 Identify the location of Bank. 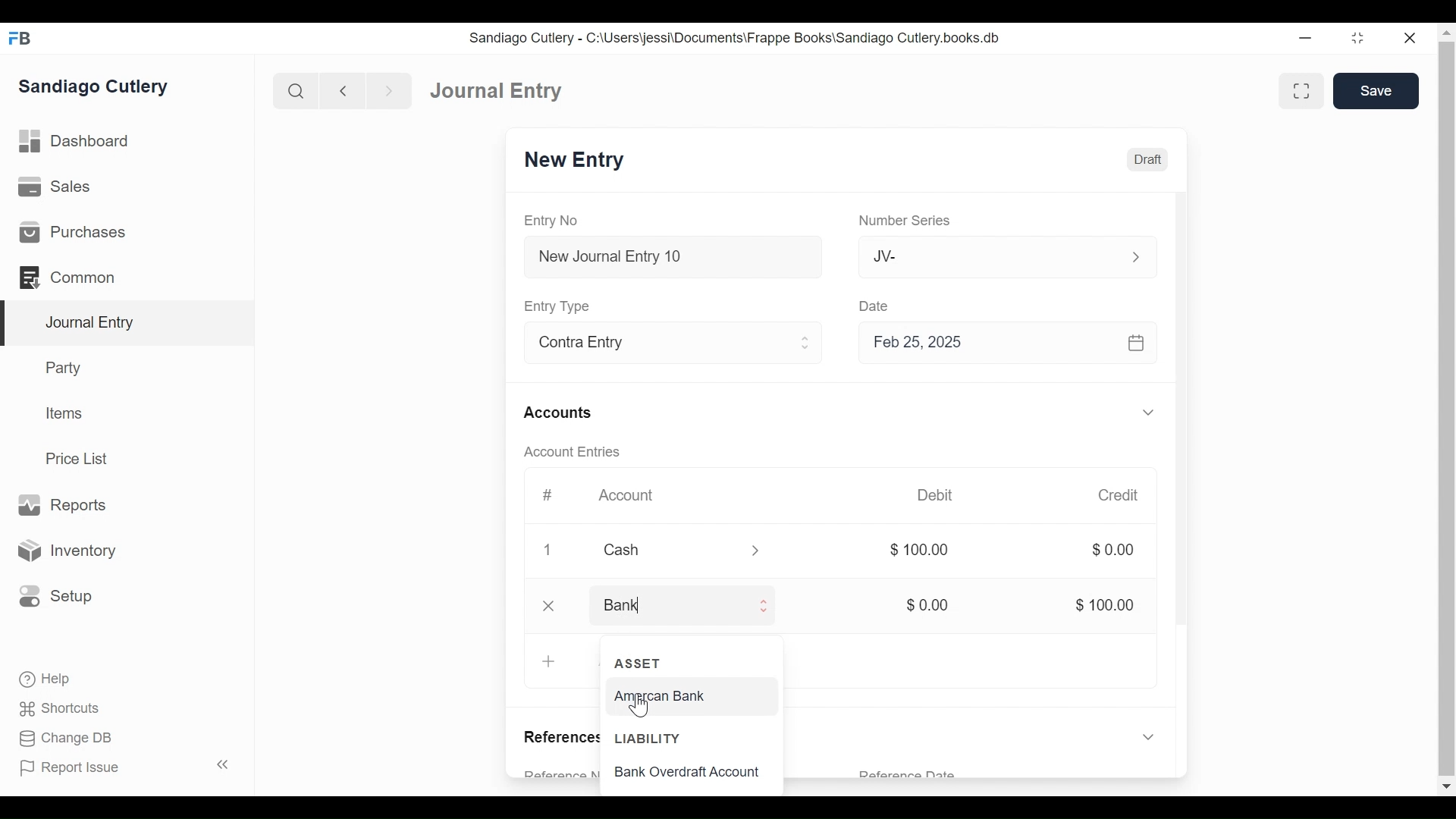
(670, 605).